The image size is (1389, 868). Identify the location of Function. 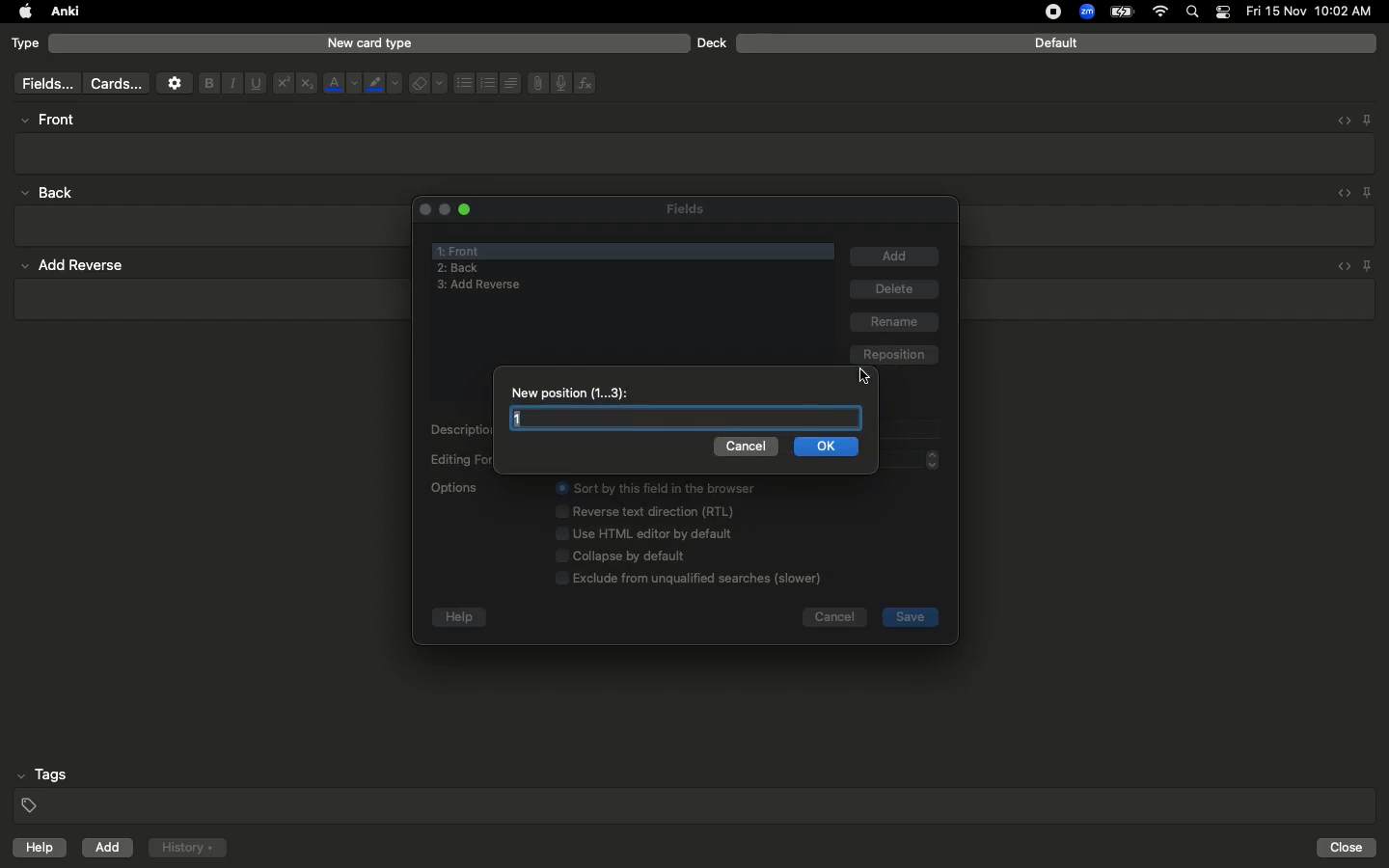
(586, 83).